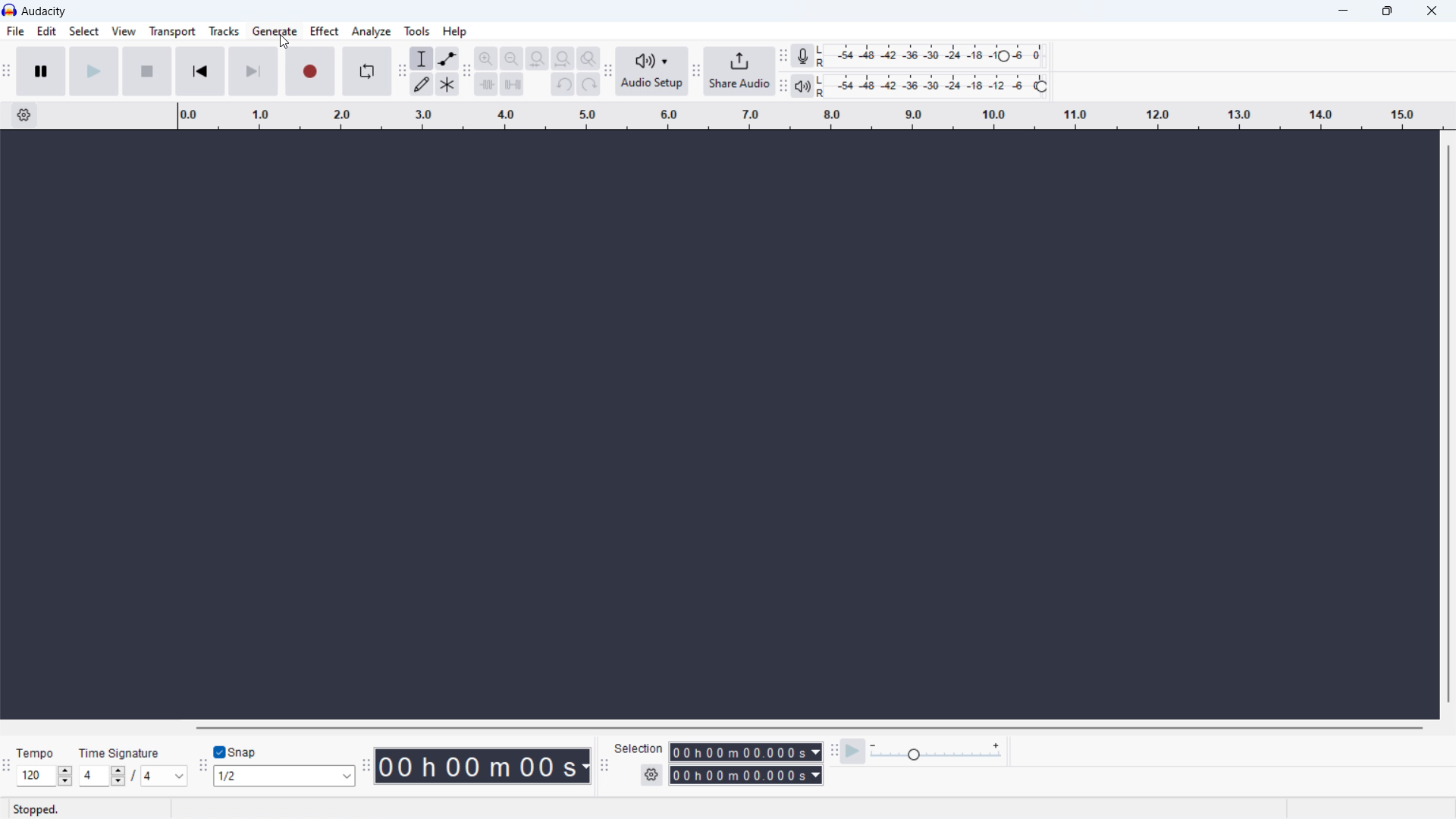 The height and width of the screenshot is (819, 1456). What do you see at coordinates (651, 71) in the screenshot?
I see `audio setup` at bounding box center [651, 71].